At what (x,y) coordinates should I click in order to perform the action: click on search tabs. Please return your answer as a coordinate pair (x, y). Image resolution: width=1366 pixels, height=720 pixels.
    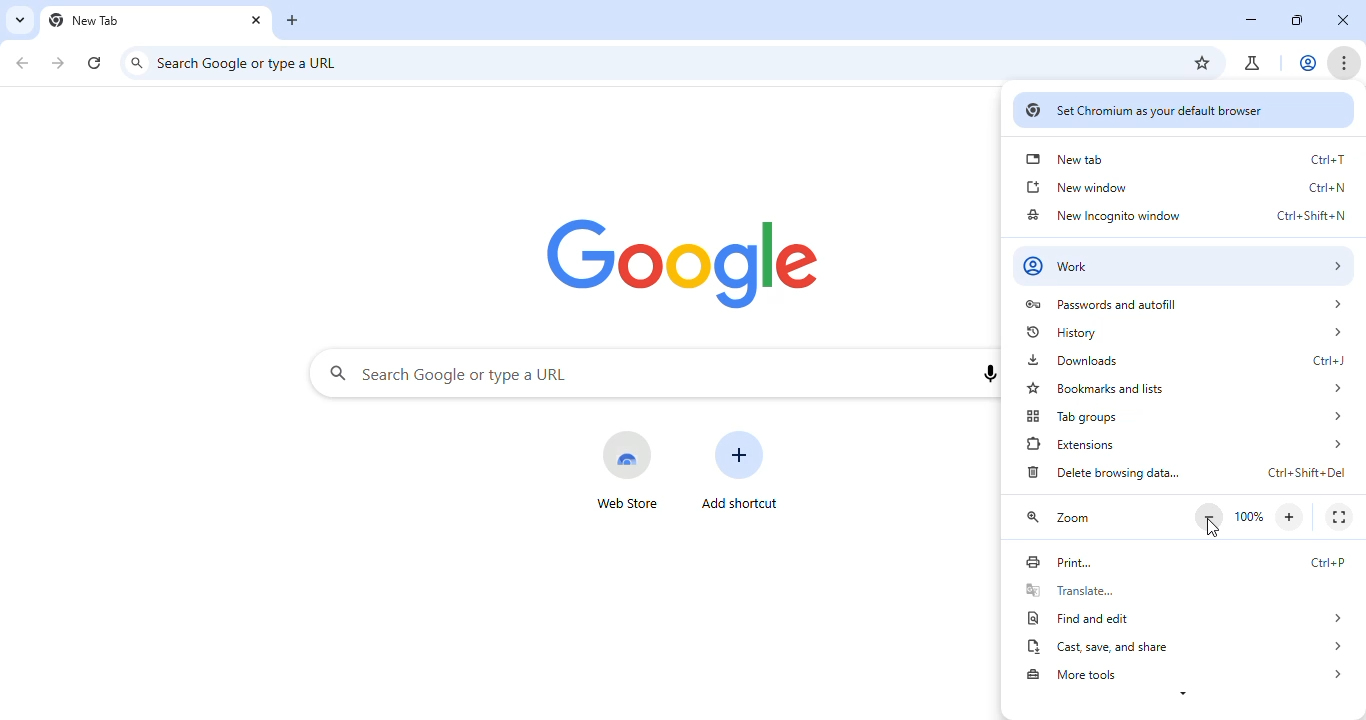
    Looking at the image, I should click on (20, 19).